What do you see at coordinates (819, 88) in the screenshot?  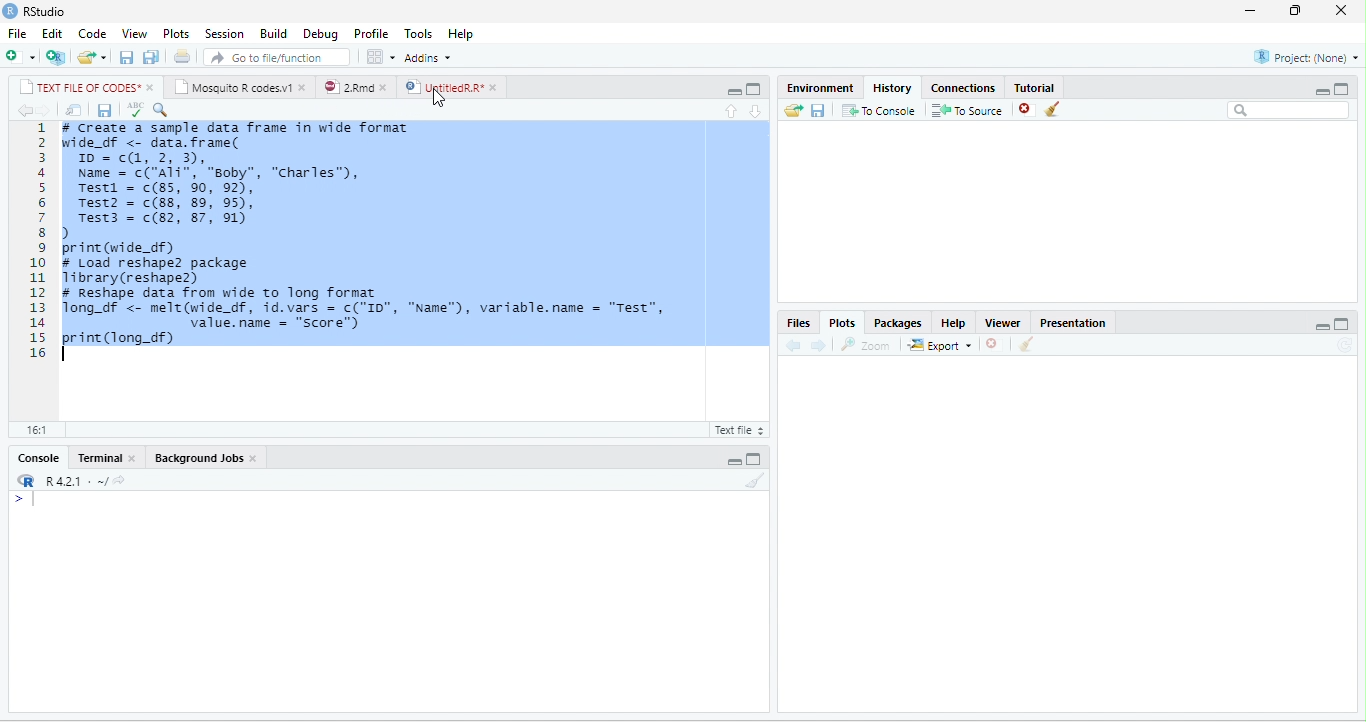 I see `Environment` at bounding box center [819, 88].